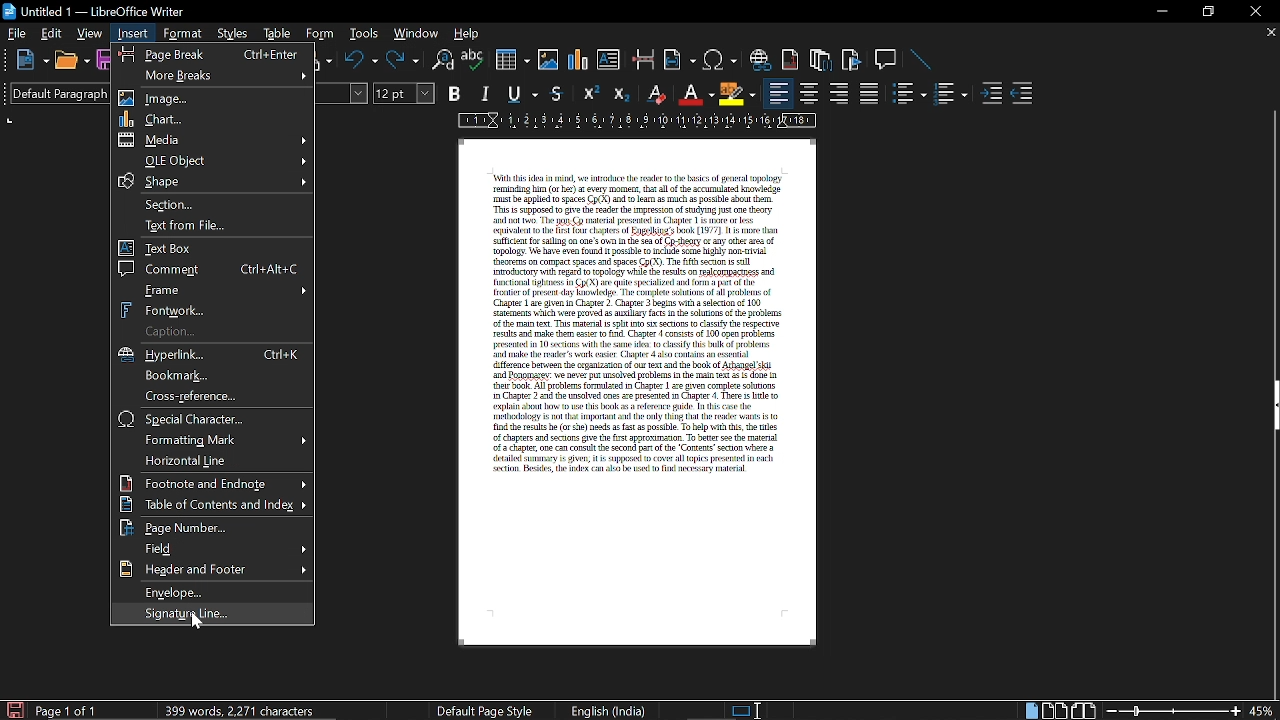 The width and height of the screenshot is (1280, 720). I want to click on chart, so click(215, 117).